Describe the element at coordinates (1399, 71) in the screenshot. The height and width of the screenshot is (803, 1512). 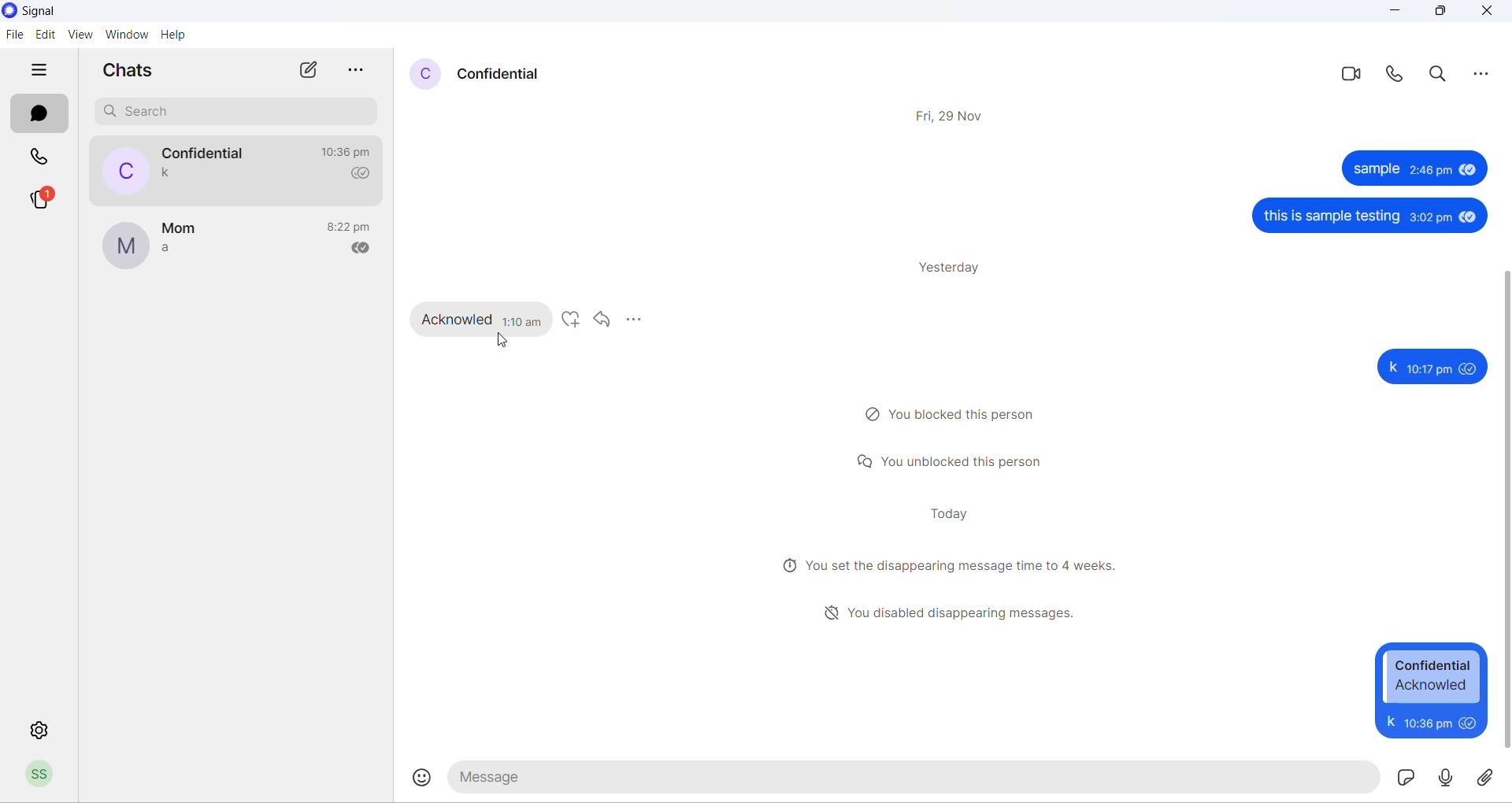
I see `voice call` at that location.